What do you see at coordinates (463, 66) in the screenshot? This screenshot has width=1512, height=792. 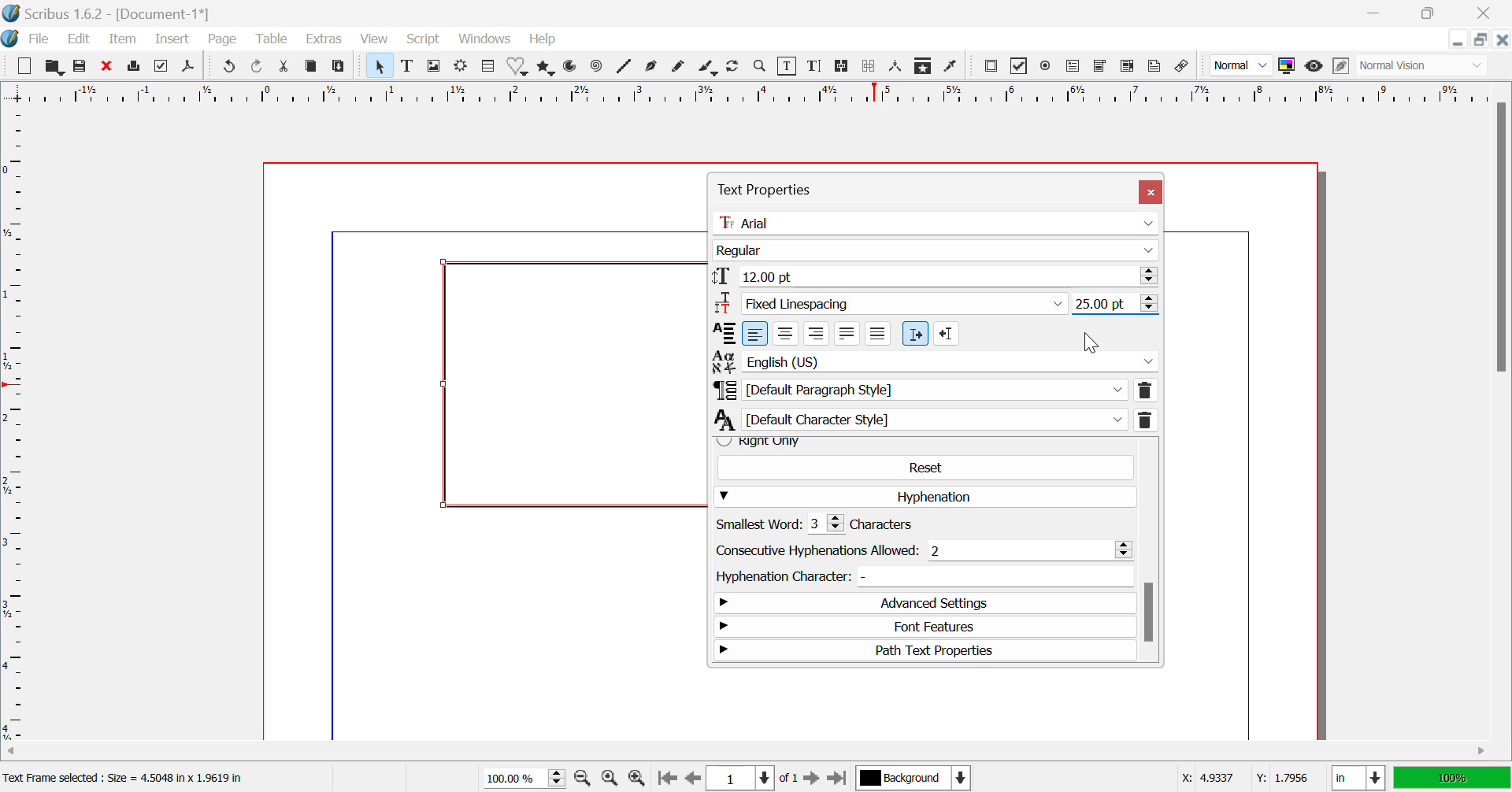 I see `Render Frame` at bounding box center [463, 66].